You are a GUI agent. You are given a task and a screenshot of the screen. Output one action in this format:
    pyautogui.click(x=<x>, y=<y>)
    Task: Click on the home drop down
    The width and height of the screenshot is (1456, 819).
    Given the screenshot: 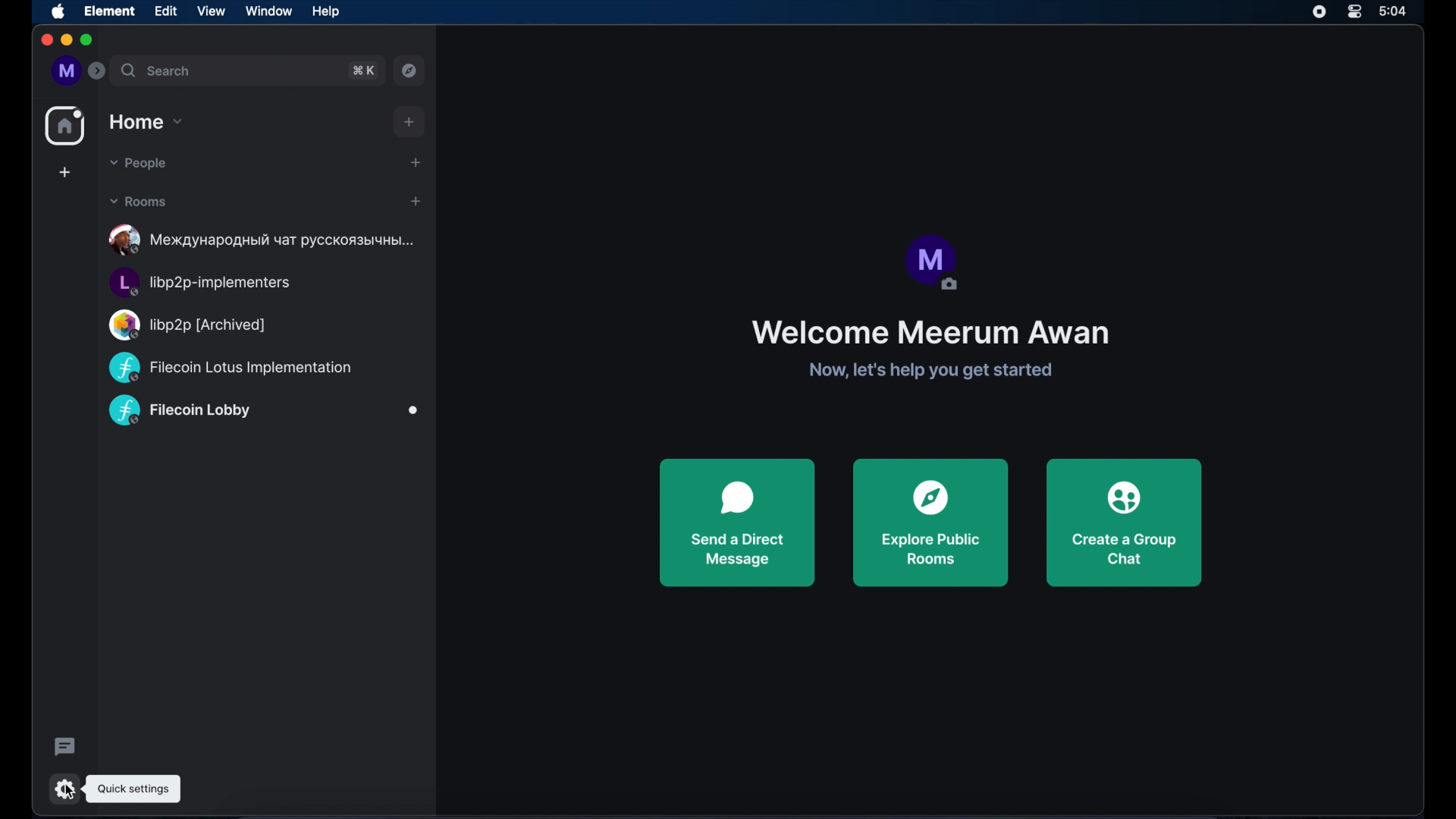 What is the action you would take?
    pyautogui.click(x=146, y=122)
    